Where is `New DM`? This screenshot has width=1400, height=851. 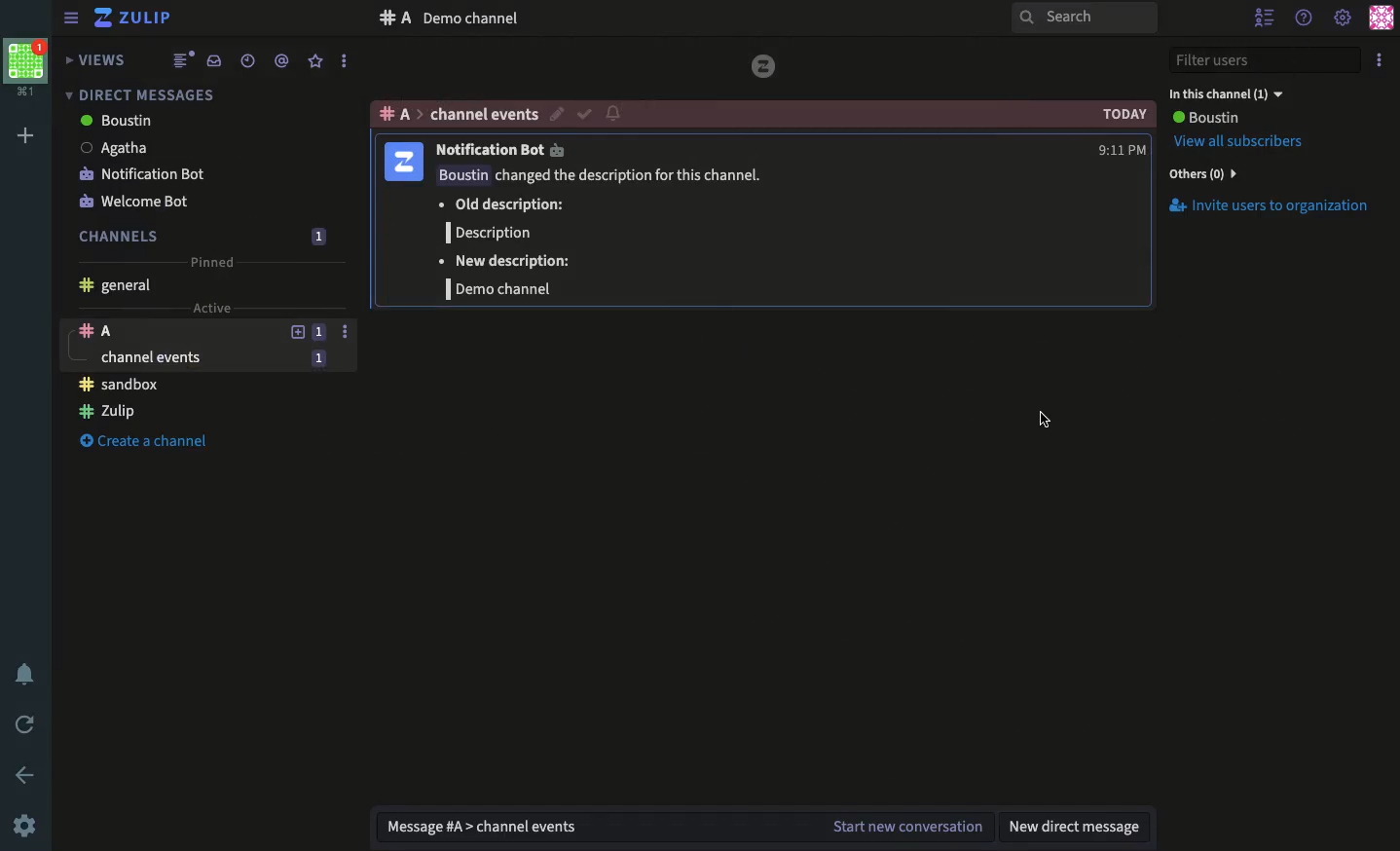 New DM is located at coordinates (1081, 829).